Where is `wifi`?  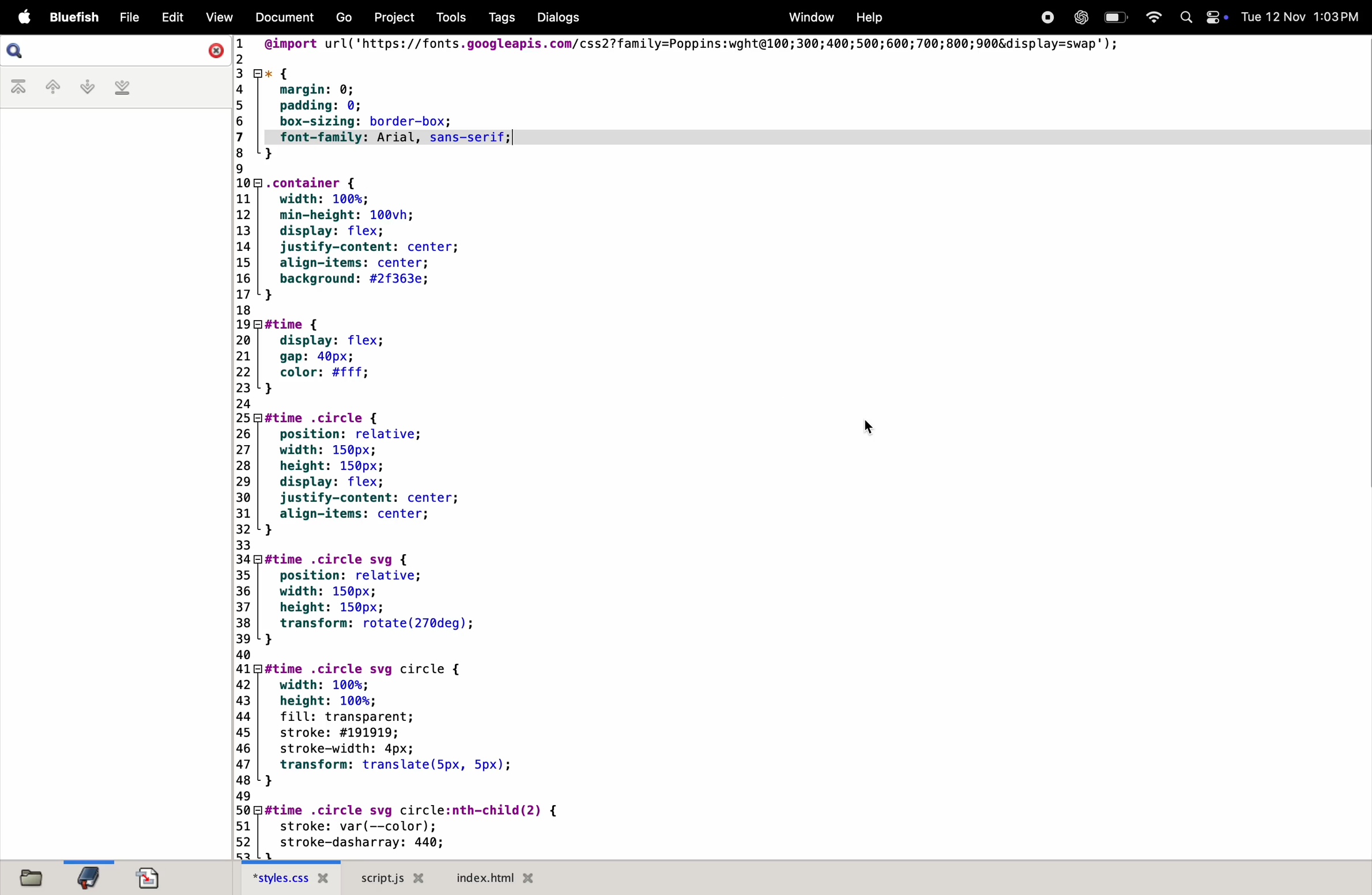
wifi is located at coordinates (1154, 17).